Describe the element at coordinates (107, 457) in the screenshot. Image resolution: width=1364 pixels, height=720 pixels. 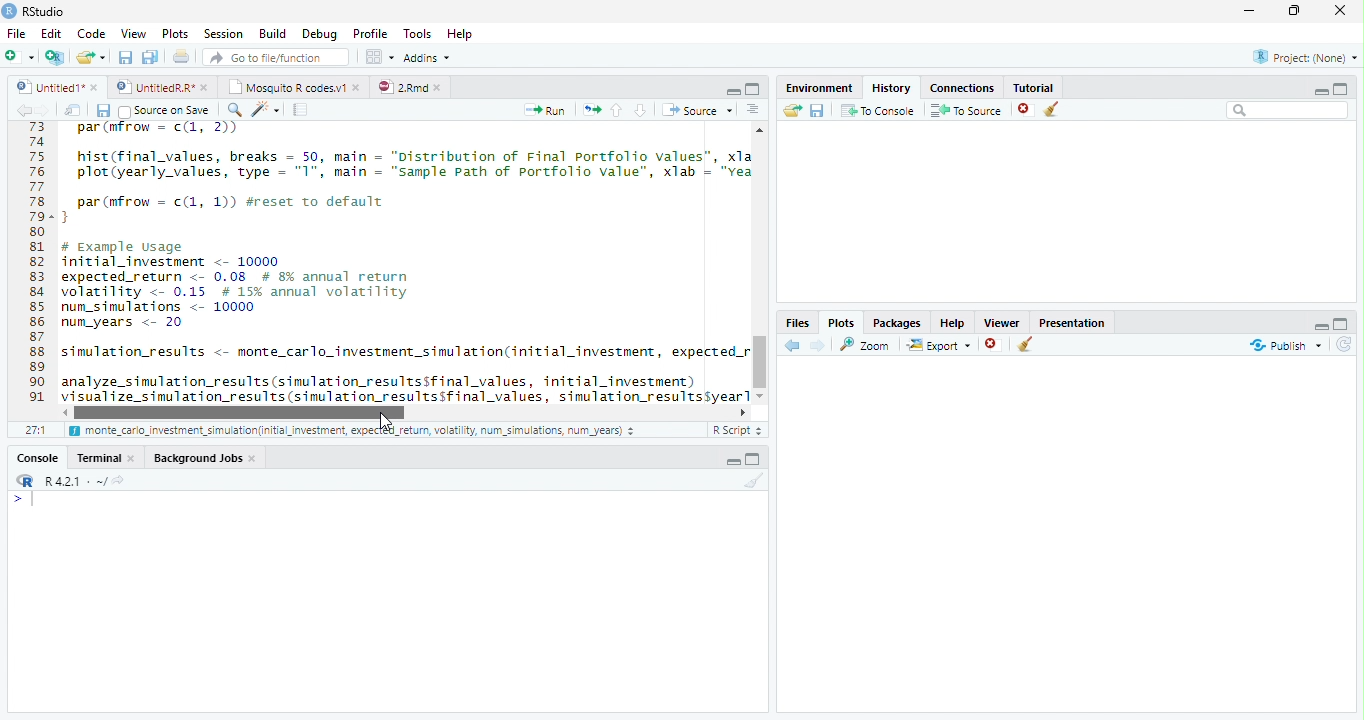
I see `Terminal` at that location.